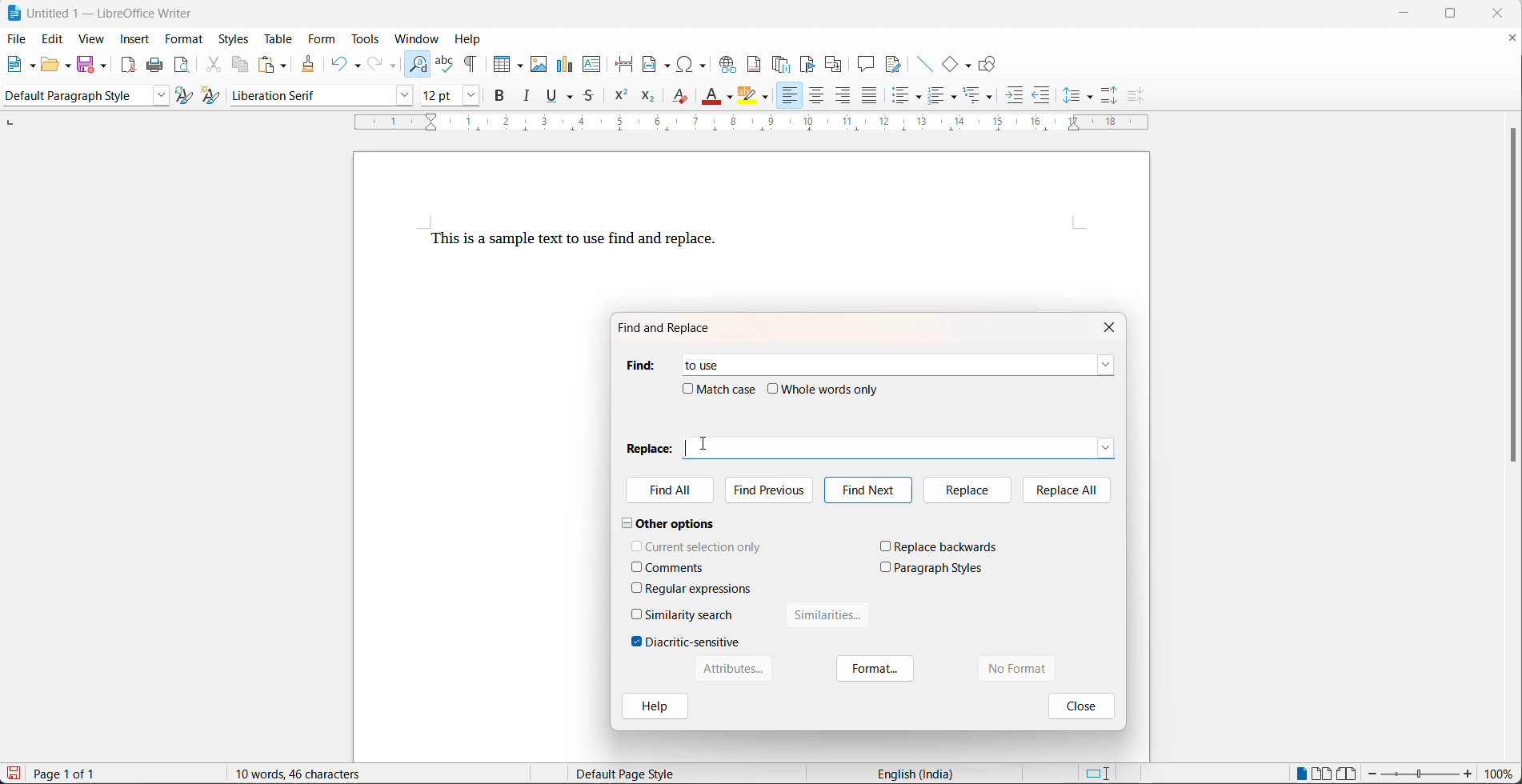 This screenshot has height=784, width=1522. What do you see at coordinates (104, 65) in the screenshot?
I see `save options` at bounding box center [104, 65].